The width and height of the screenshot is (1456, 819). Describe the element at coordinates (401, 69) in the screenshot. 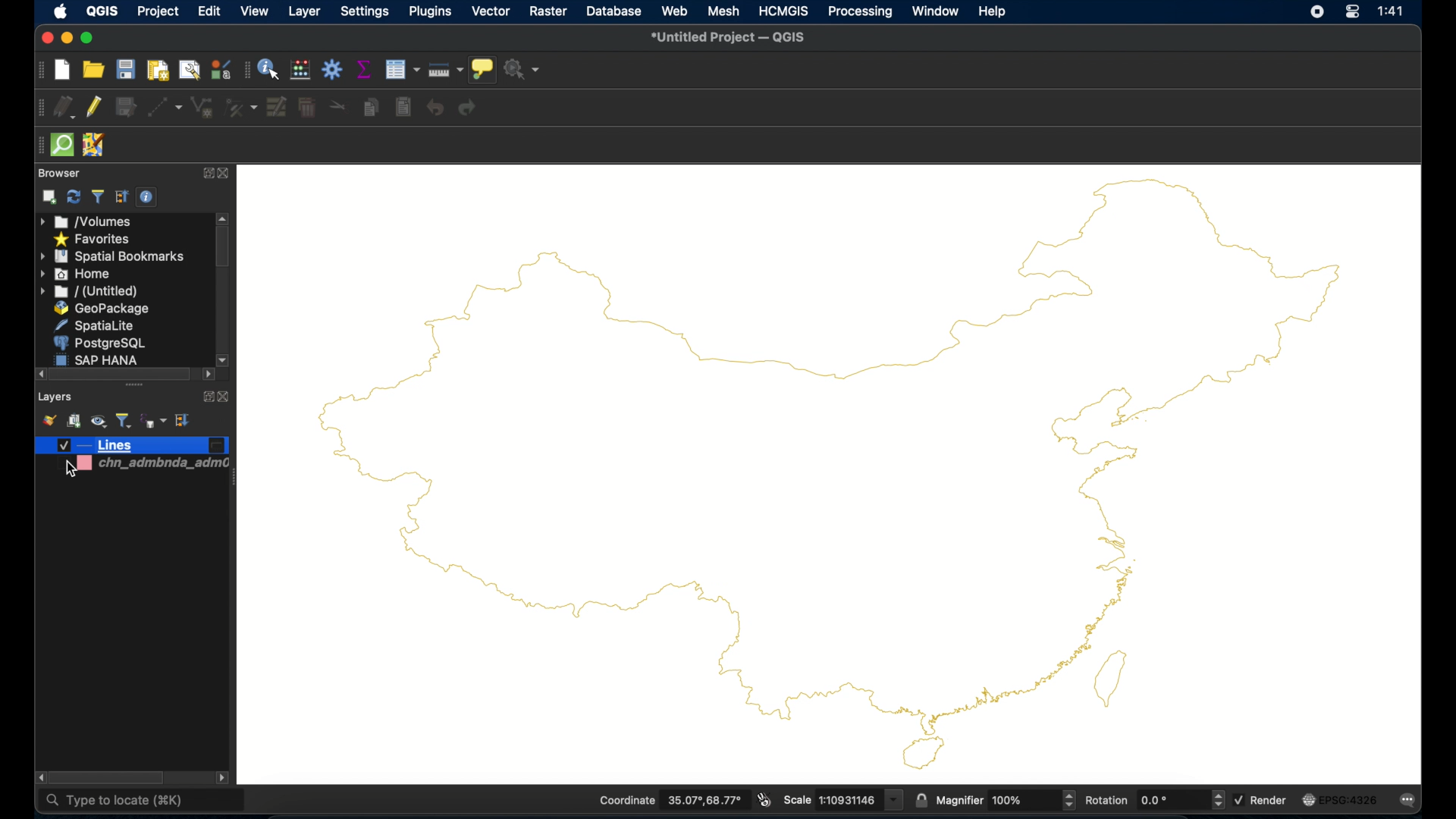

I see `modify attributes` at that location.